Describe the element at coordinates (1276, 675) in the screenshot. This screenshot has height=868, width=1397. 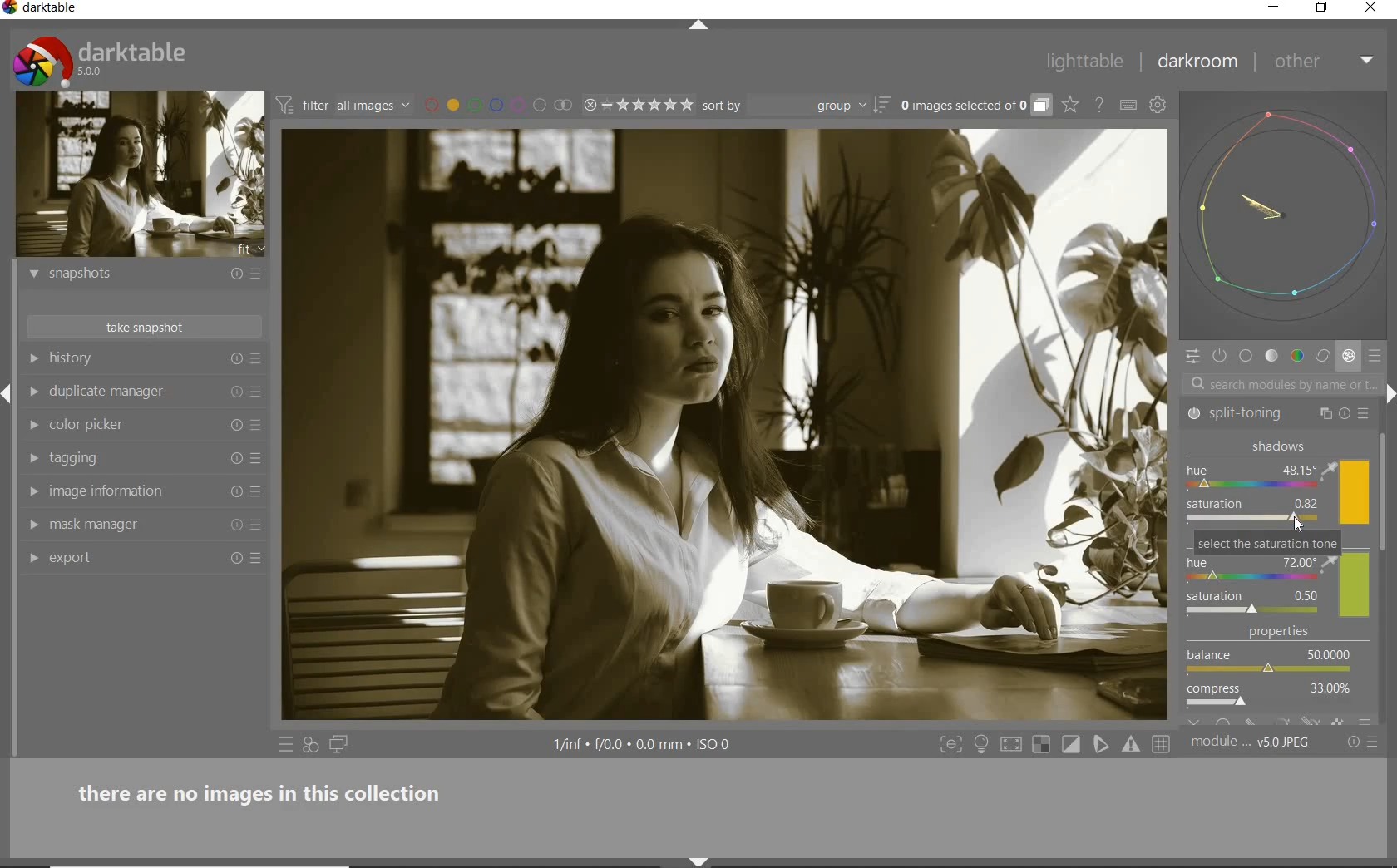
I see `properties` at that location.